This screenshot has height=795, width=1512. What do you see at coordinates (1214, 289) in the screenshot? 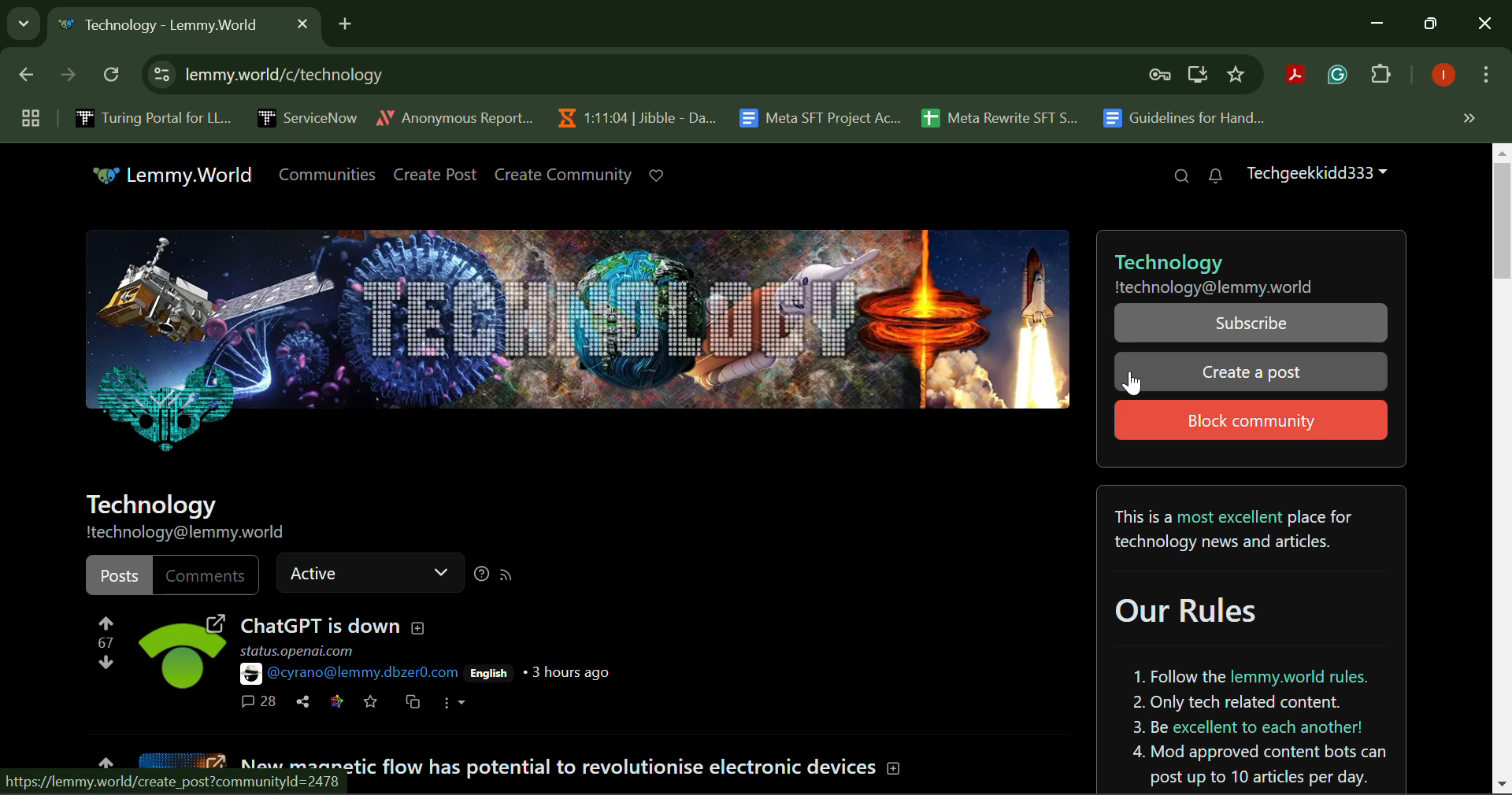
I see `Community address` at bounding box center [1214, 289].